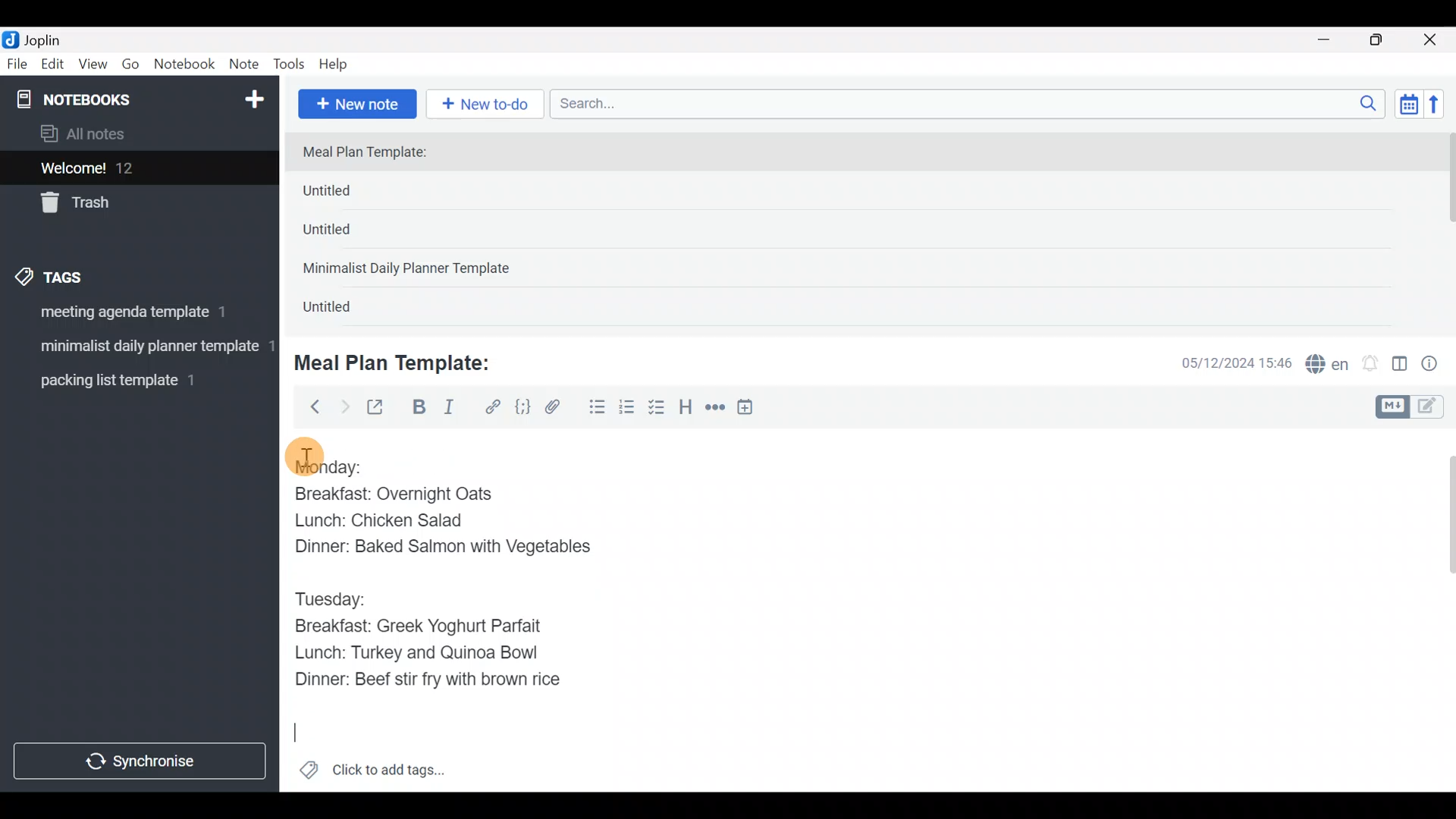 This screenshot has height=819, width=1456. I want to click on Bulleted list, so click(594, 408).